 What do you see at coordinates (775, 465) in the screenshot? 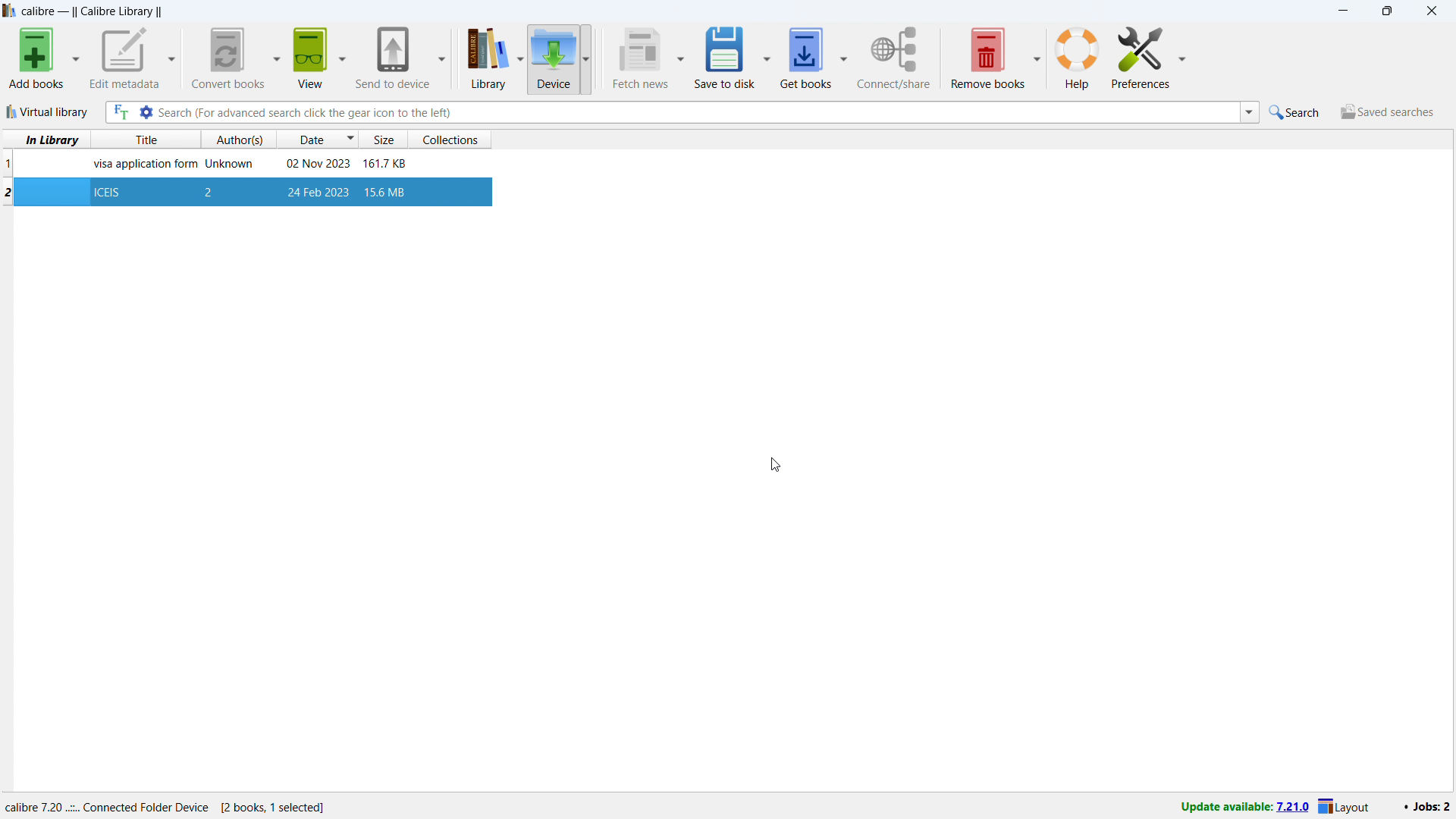
I see `cursor` at bounding box center [775, 465].